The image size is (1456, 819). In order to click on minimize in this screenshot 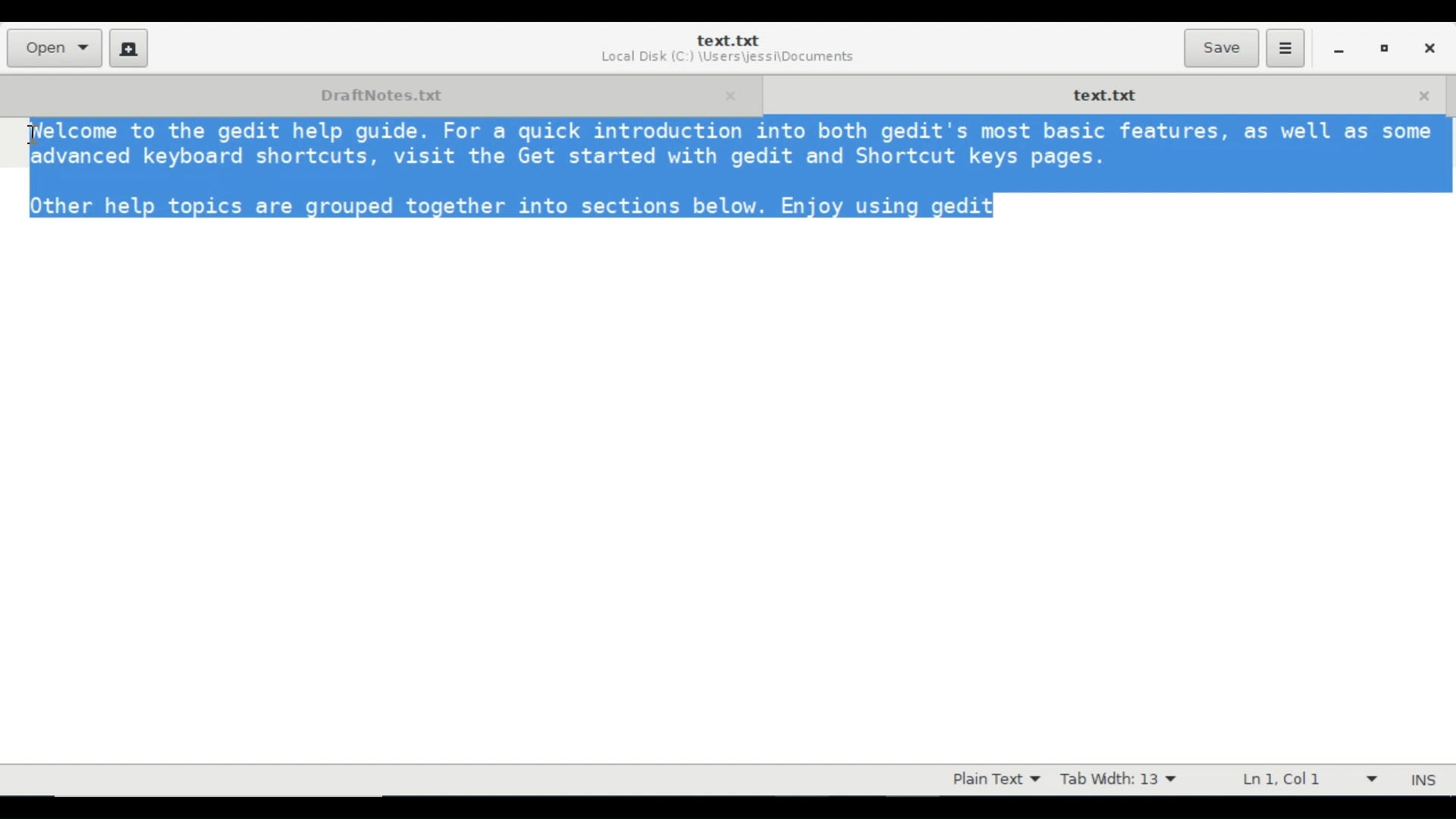, I will do `click(1338, 48)`.